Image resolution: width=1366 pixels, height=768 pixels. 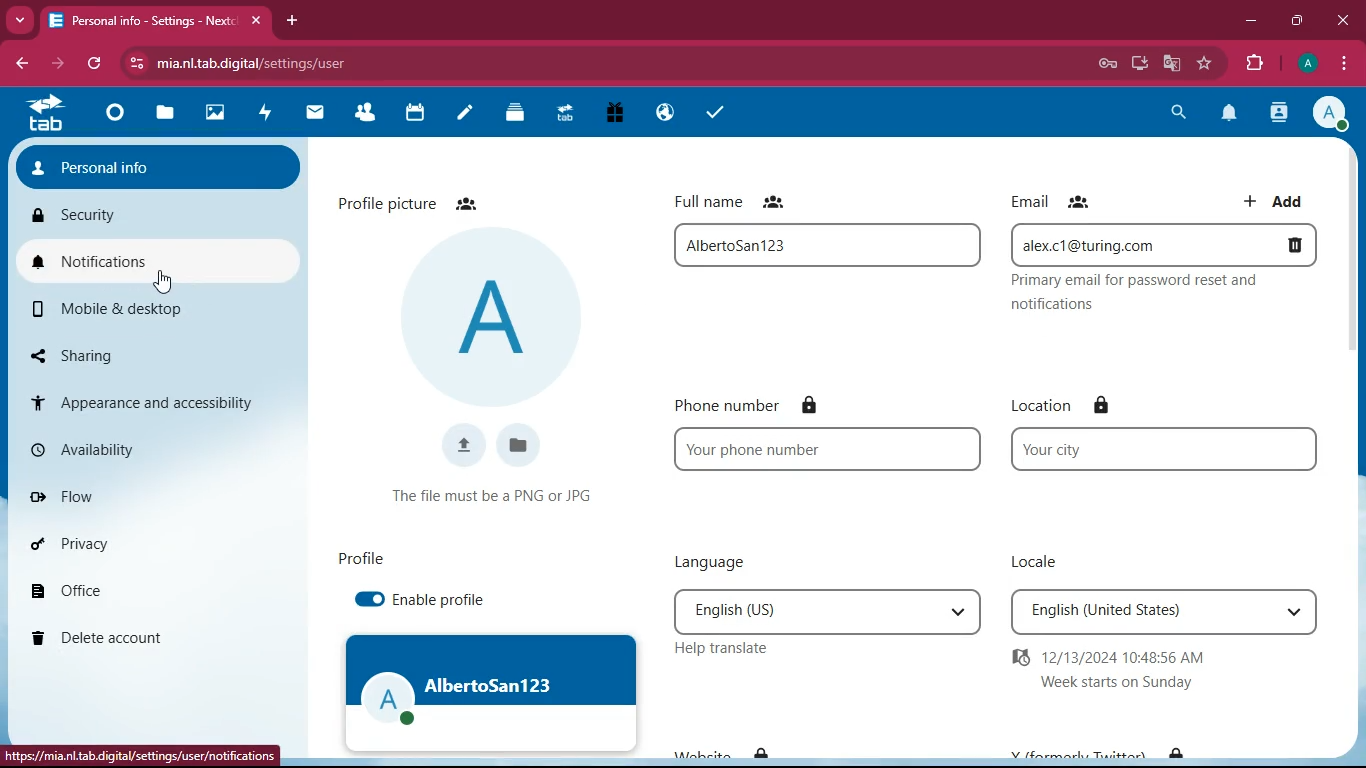 I want to click on location, so click(x=1042, y=408).